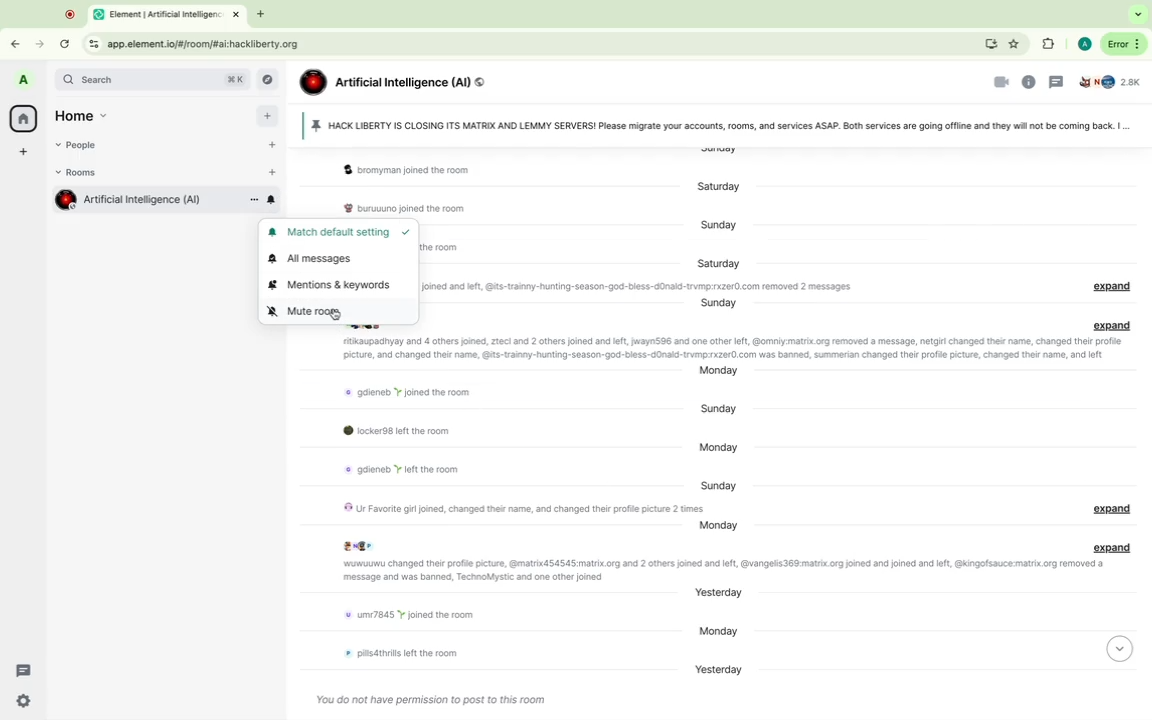 This screenshot has width=1152, height=720. I want to click on Message, so click(686, 285).